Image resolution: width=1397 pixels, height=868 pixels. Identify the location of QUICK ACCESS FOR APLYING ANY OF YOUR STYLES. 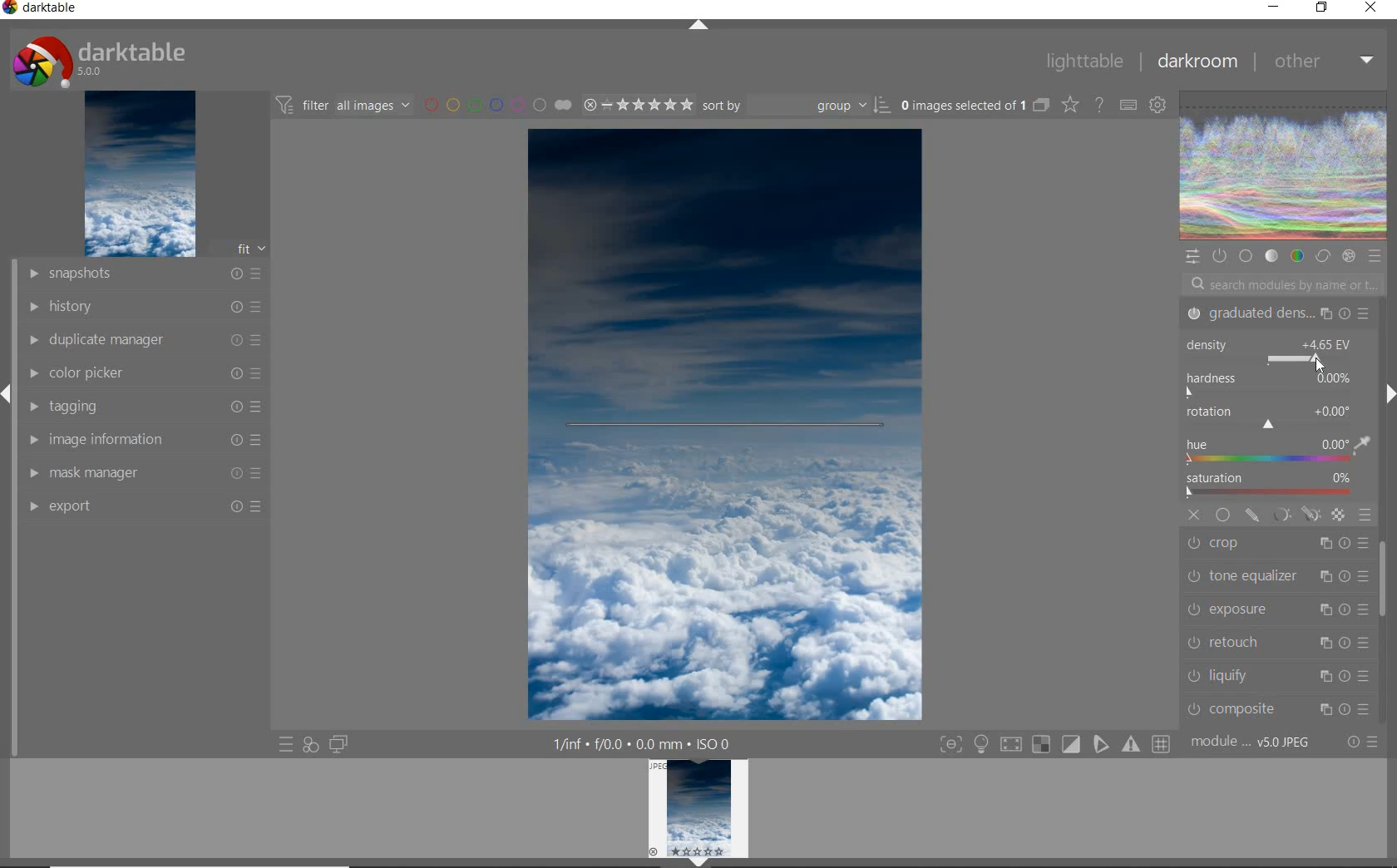
(310, 745).